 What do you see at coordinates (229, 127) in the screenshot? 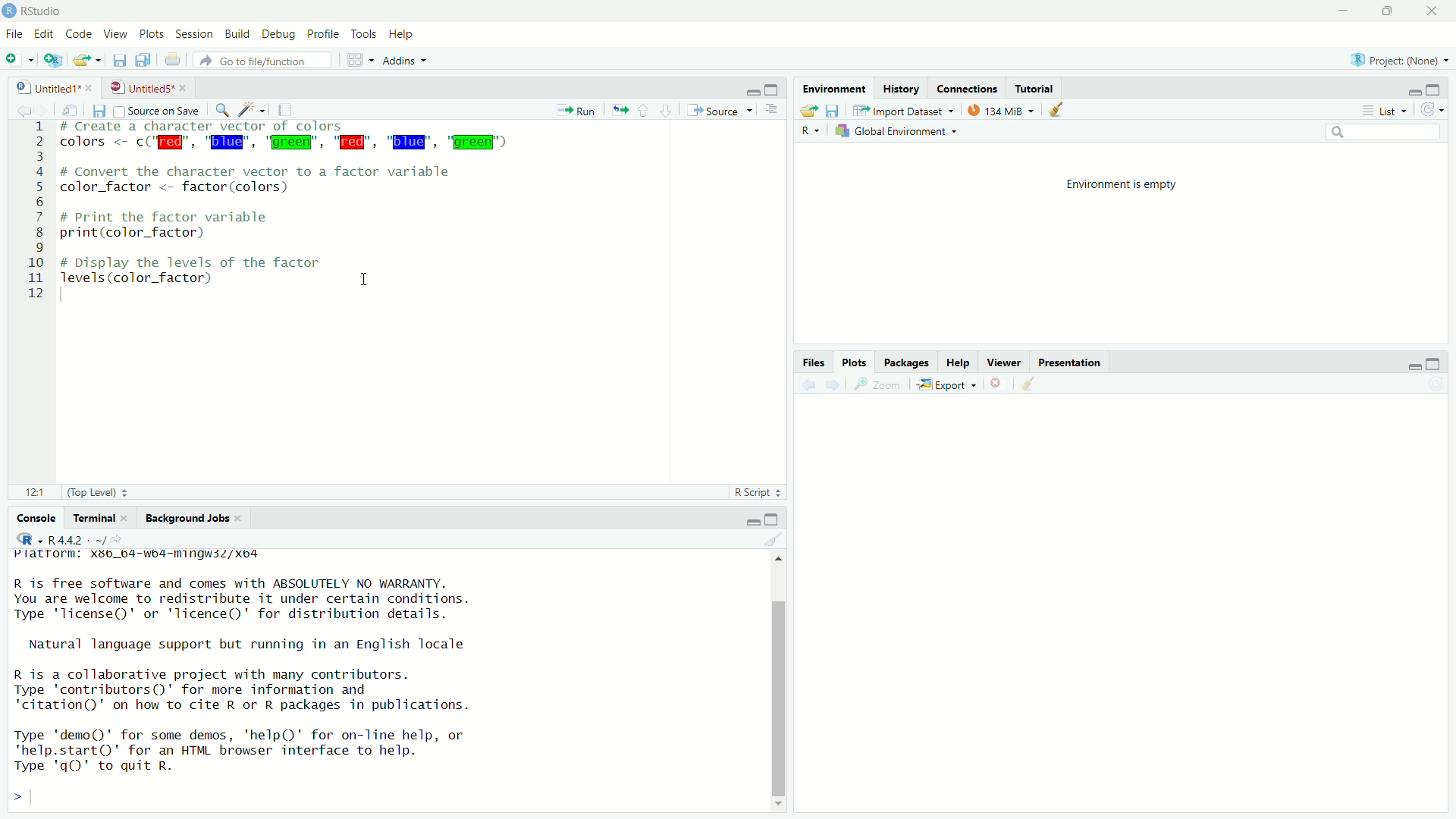
I see `# create a character  vector of colors` at bounding box center [229, 127].